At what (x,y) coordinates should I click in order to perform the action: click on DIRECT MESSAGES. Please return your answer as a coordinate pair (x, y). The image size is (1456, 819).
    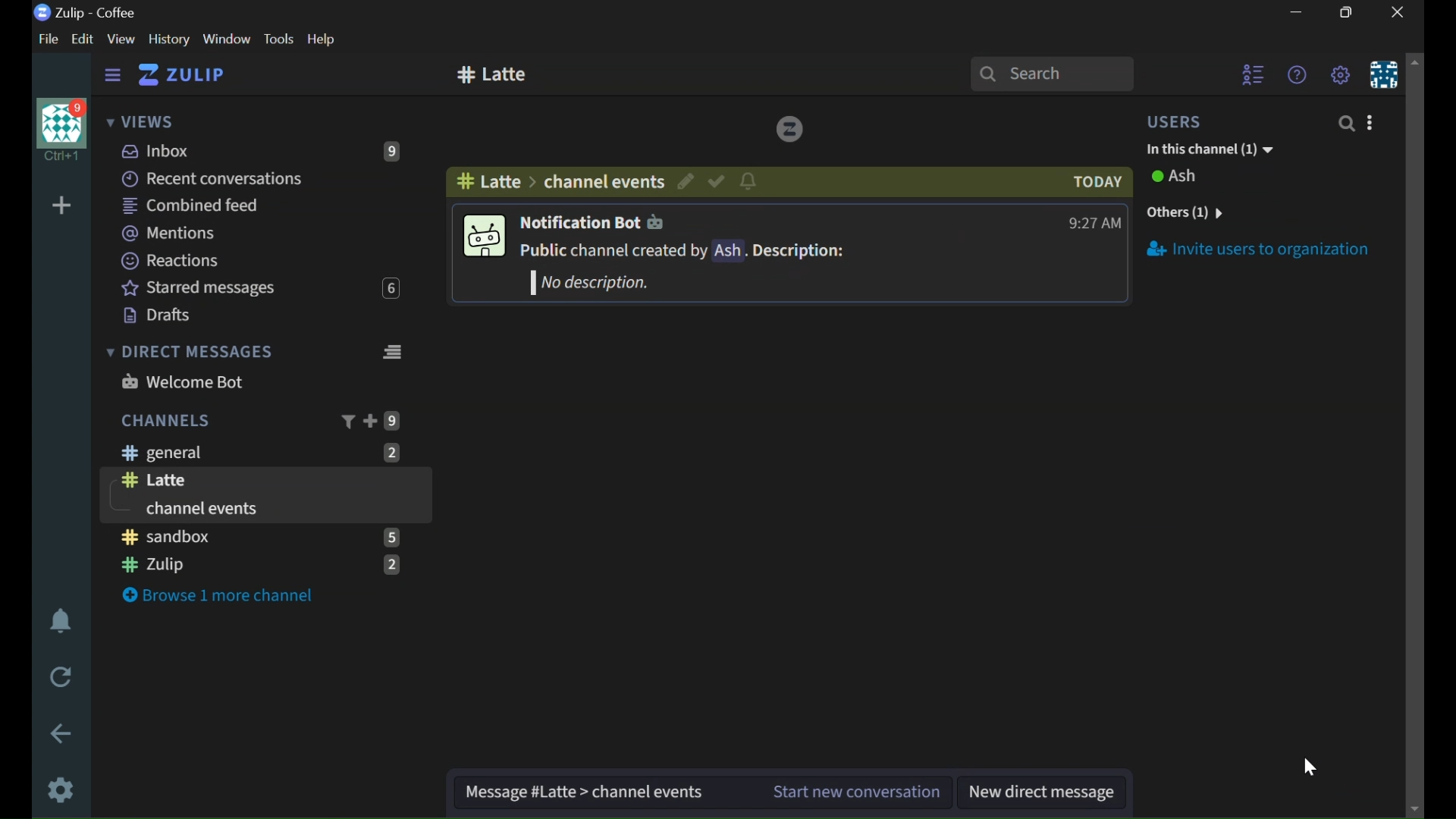
    Looking at the image, I should click on (254, 349).